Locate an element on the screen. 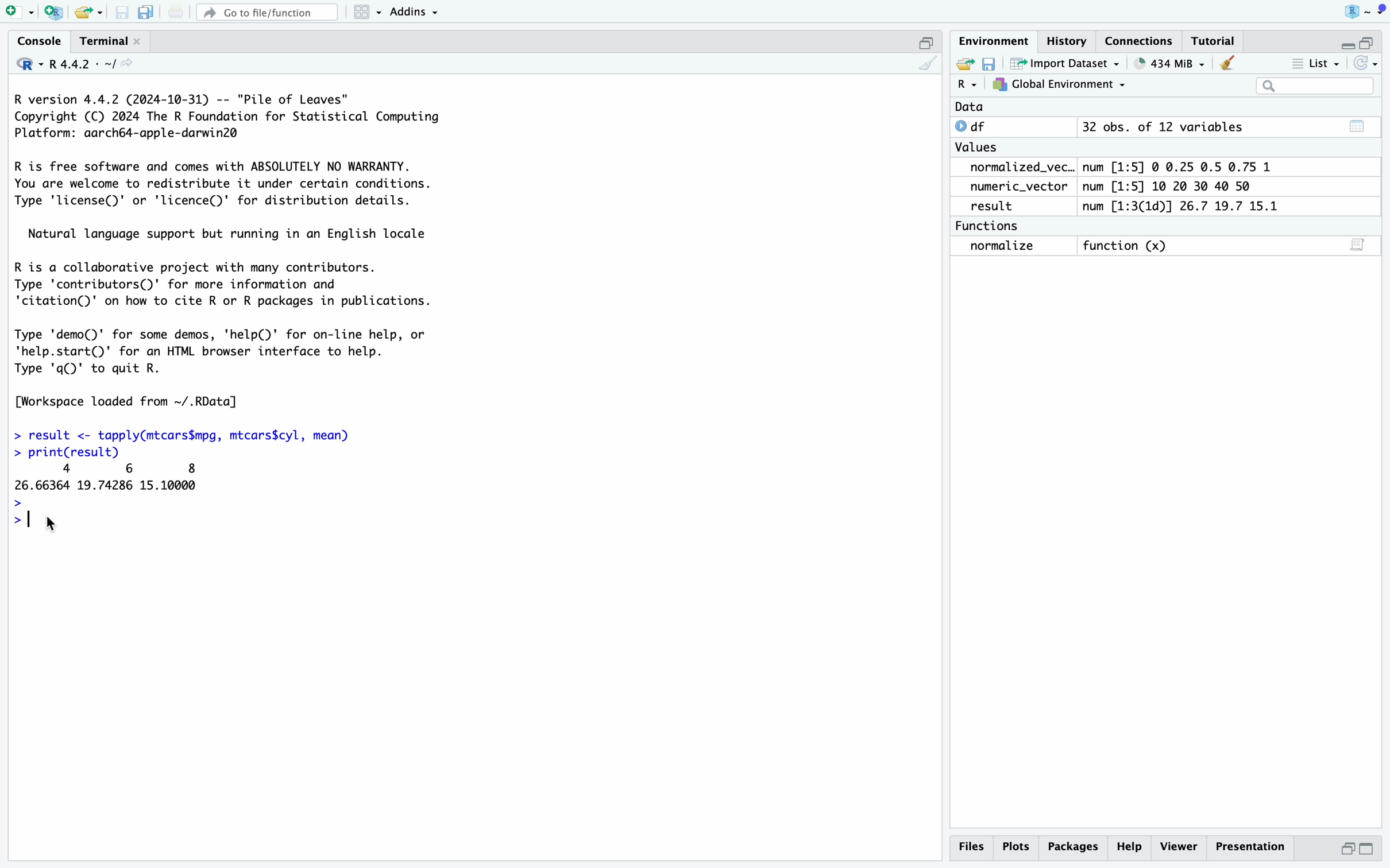  Search is located at coordinates (1314, 86).